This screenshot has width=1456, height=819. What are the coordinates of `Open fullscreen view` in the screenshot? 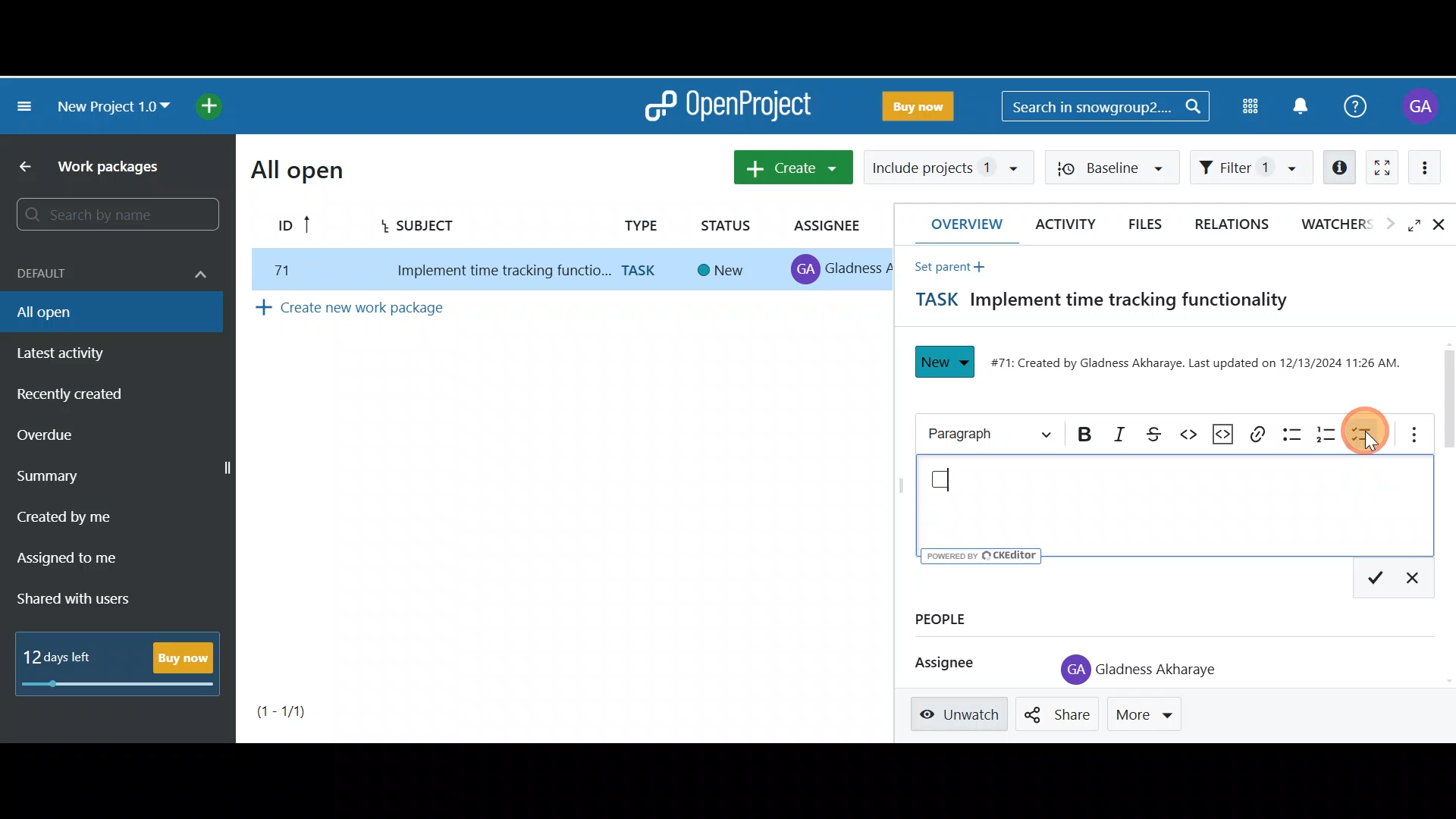 It's located at (1404, 226).